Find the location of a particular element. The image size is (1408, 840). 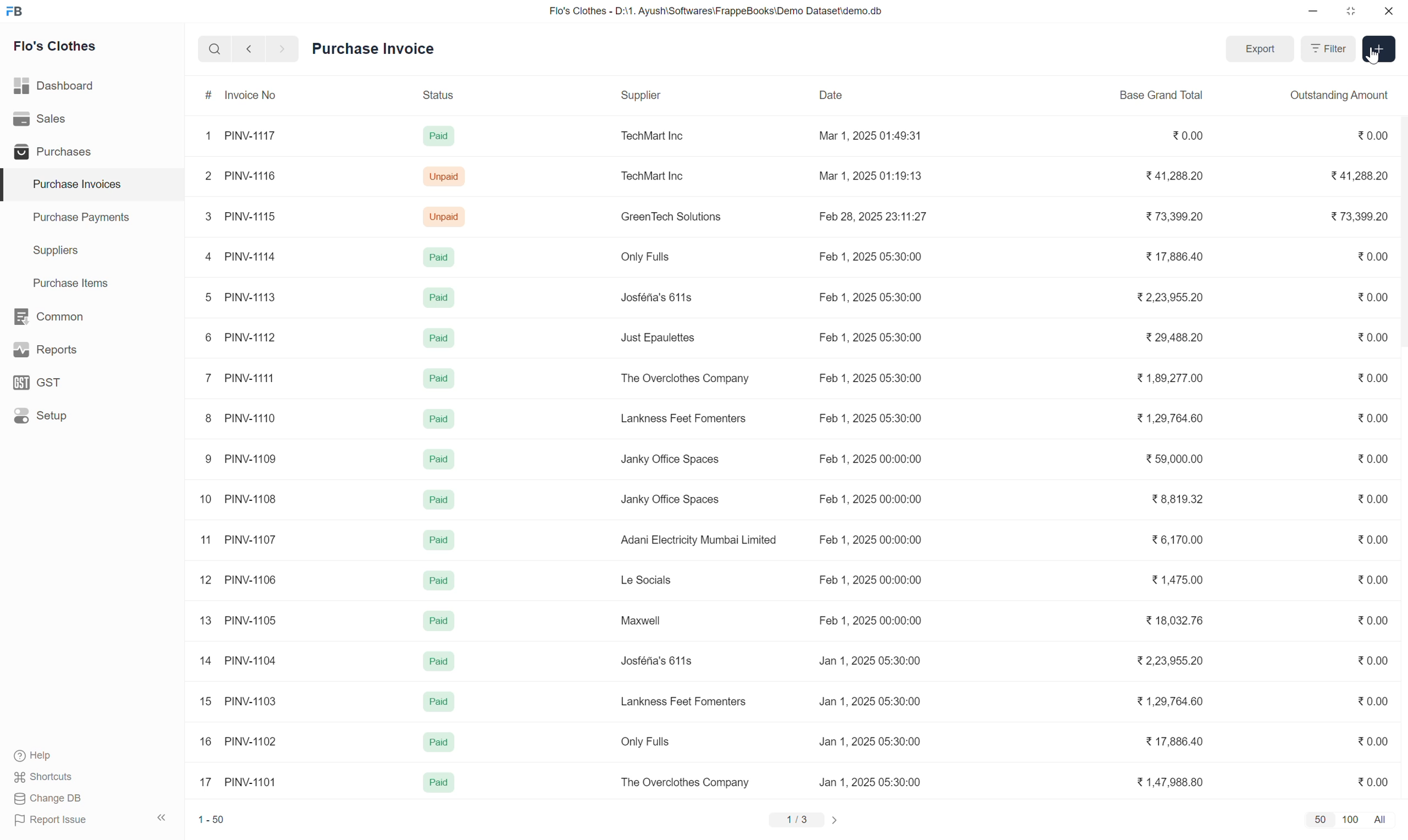

Paid is located at coordinates (438, 136).